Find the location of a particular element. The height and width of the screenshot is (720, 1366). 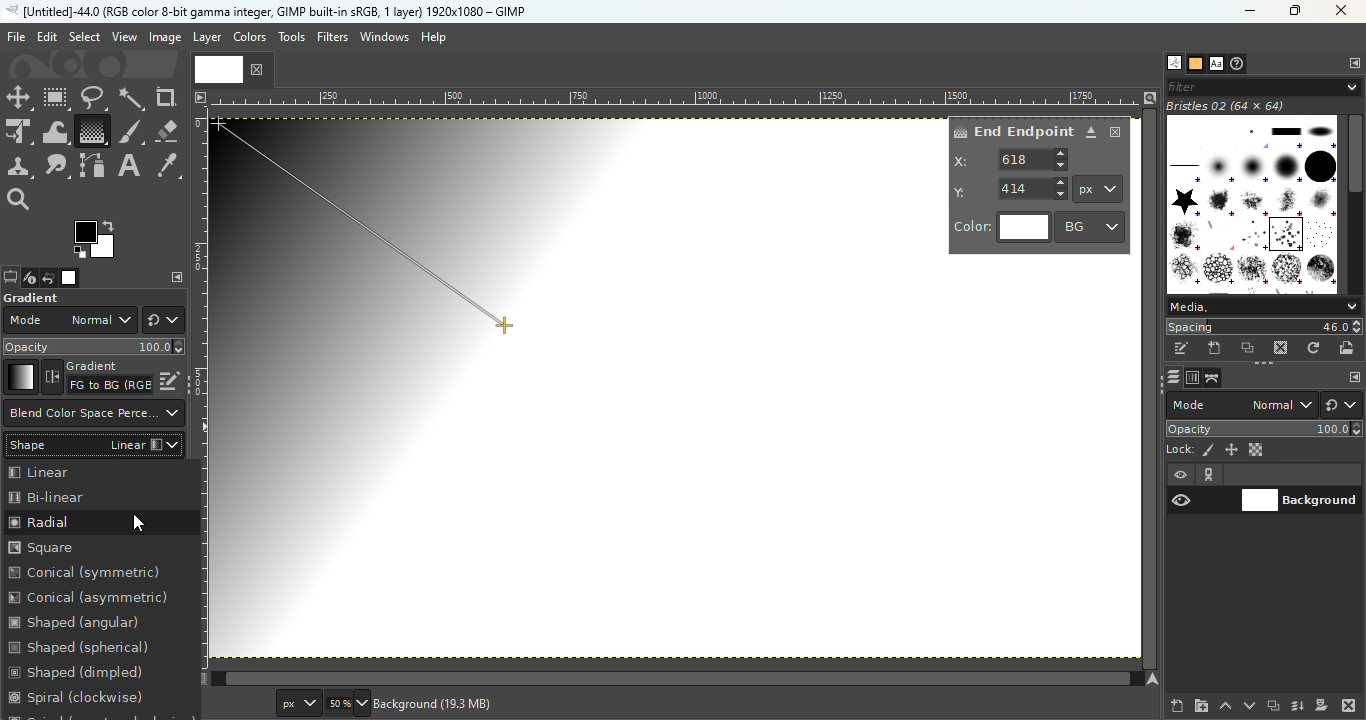

Ruler measurement is located at coordinates (1098, 189).